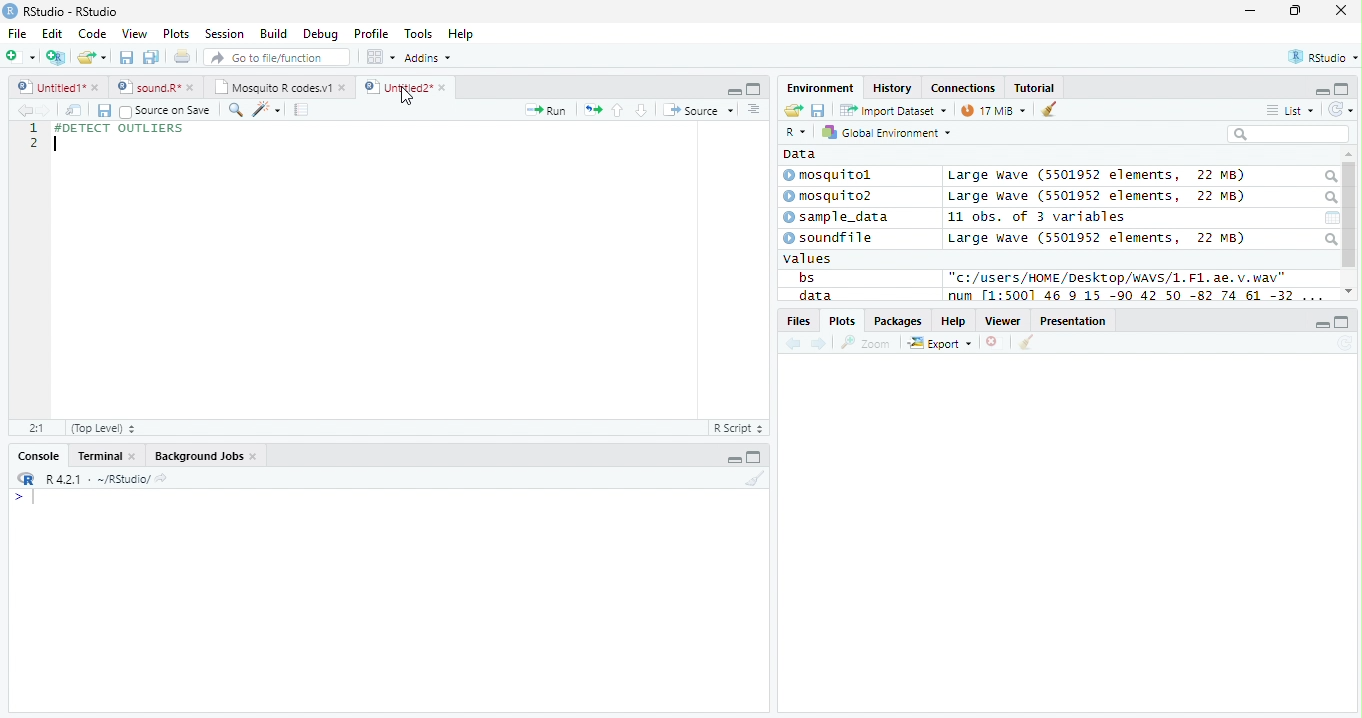  What do you see at coordinates (808, 259) in the screenshot?
I see `values` at bounding box center [808, 259].